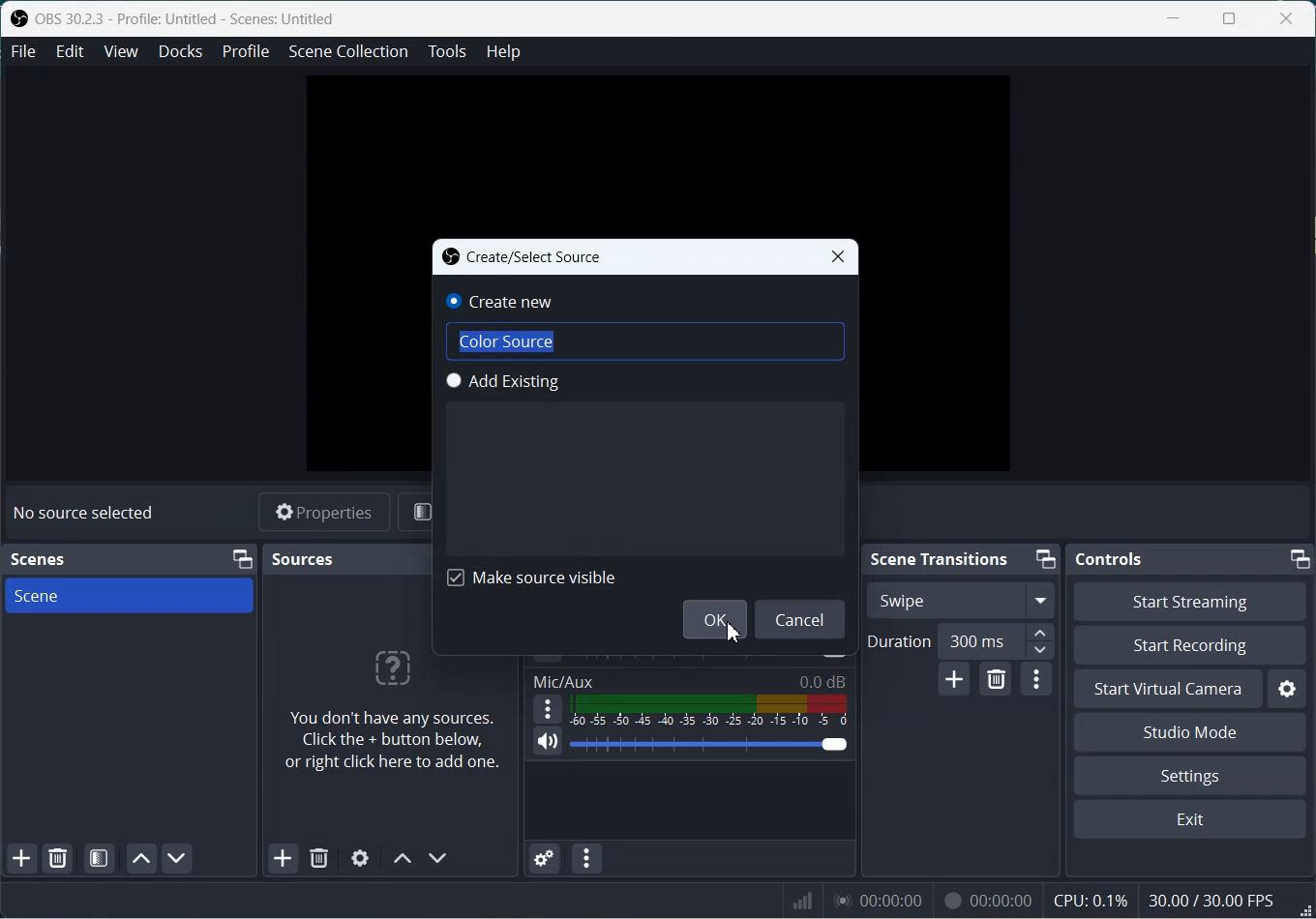 The width and height of the screenshot is (1316, 919). Describe the element at coordinates (1189, 732) in the screenshot. I see `Studio Mode` at that location.